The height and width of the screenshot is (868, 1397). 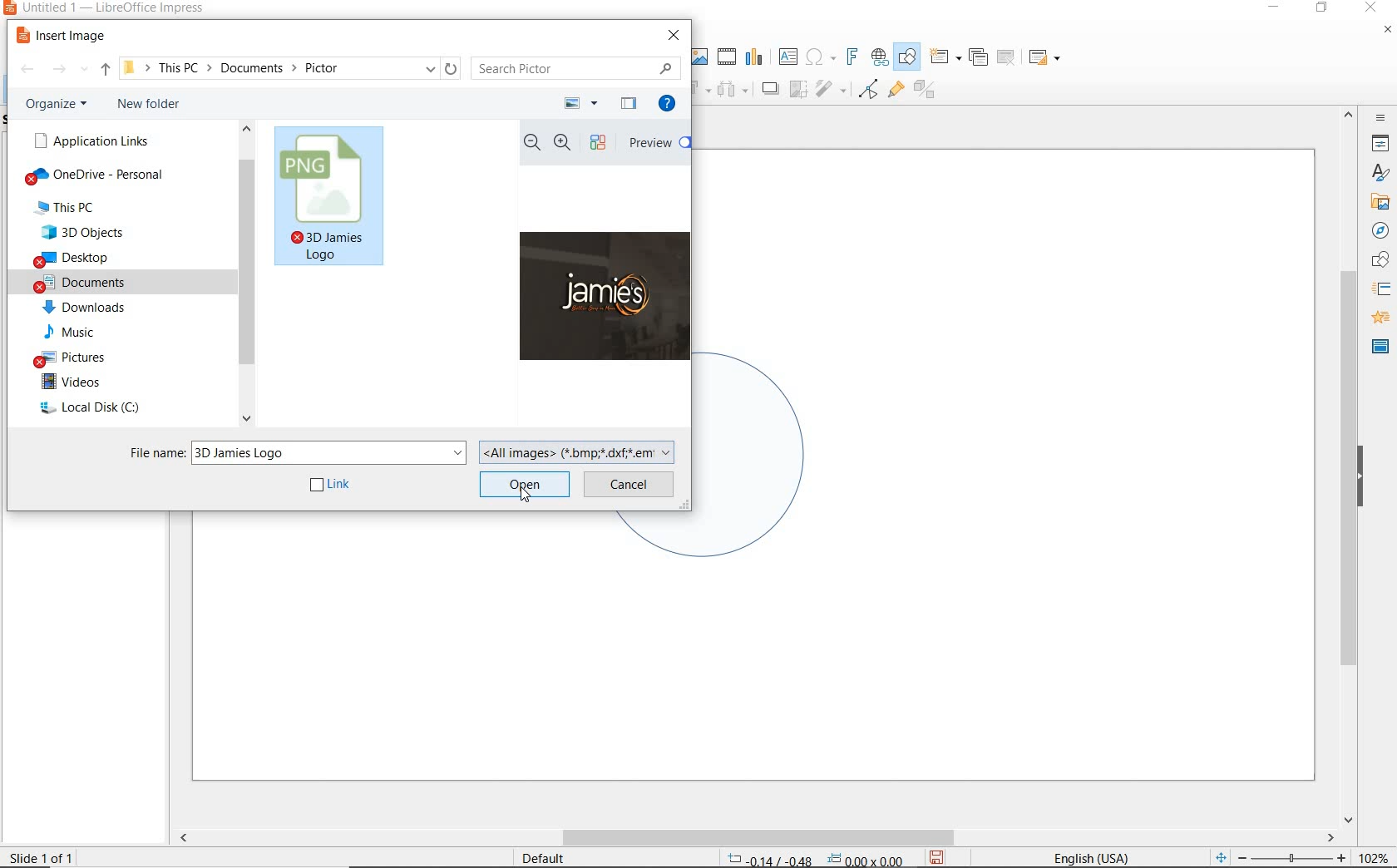 I want to click on this PC, so click(x=84, y=208).